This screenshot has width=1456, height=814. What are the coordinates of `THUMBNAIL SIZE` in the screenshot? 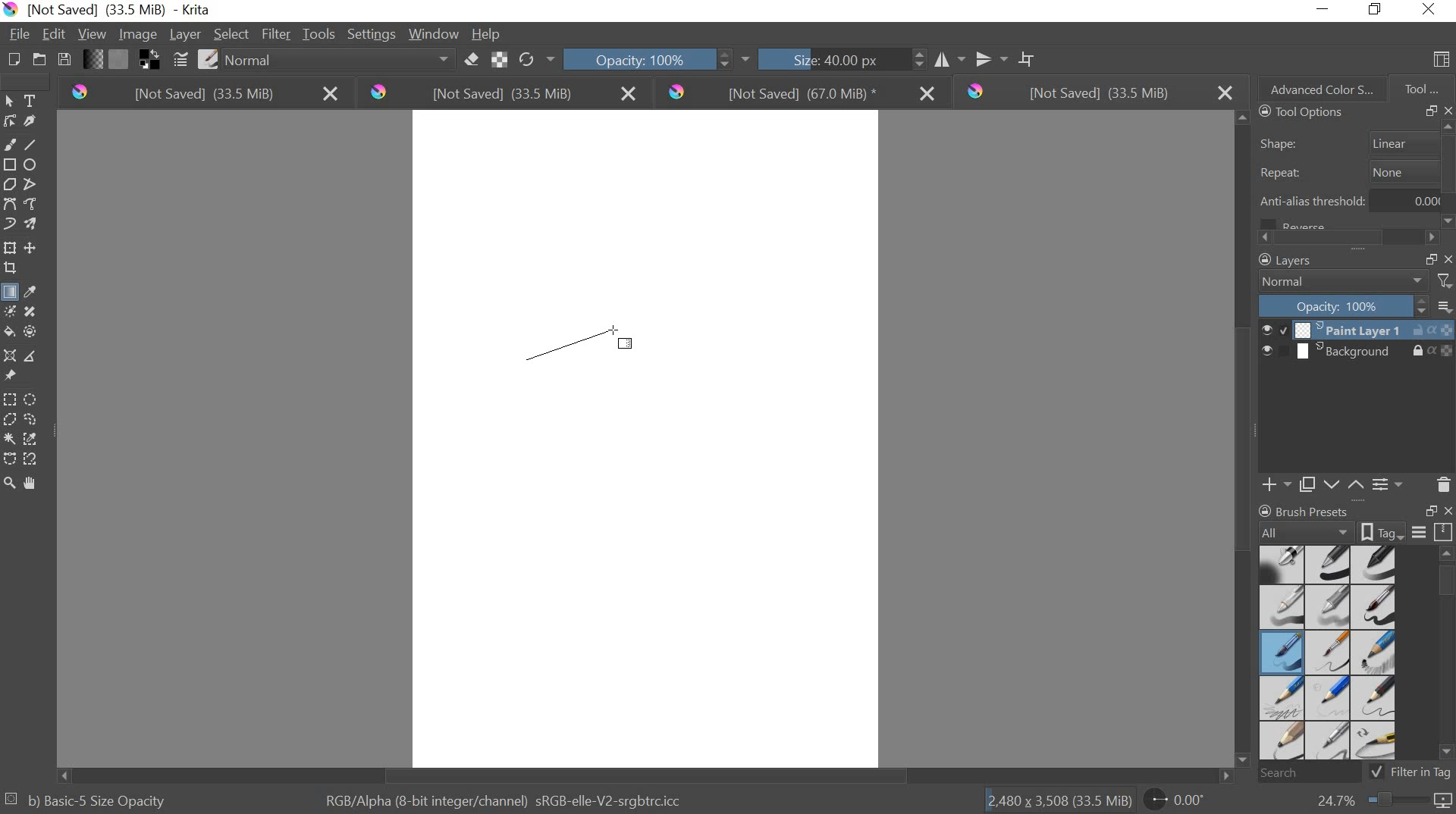 It's located at (1446, 305).